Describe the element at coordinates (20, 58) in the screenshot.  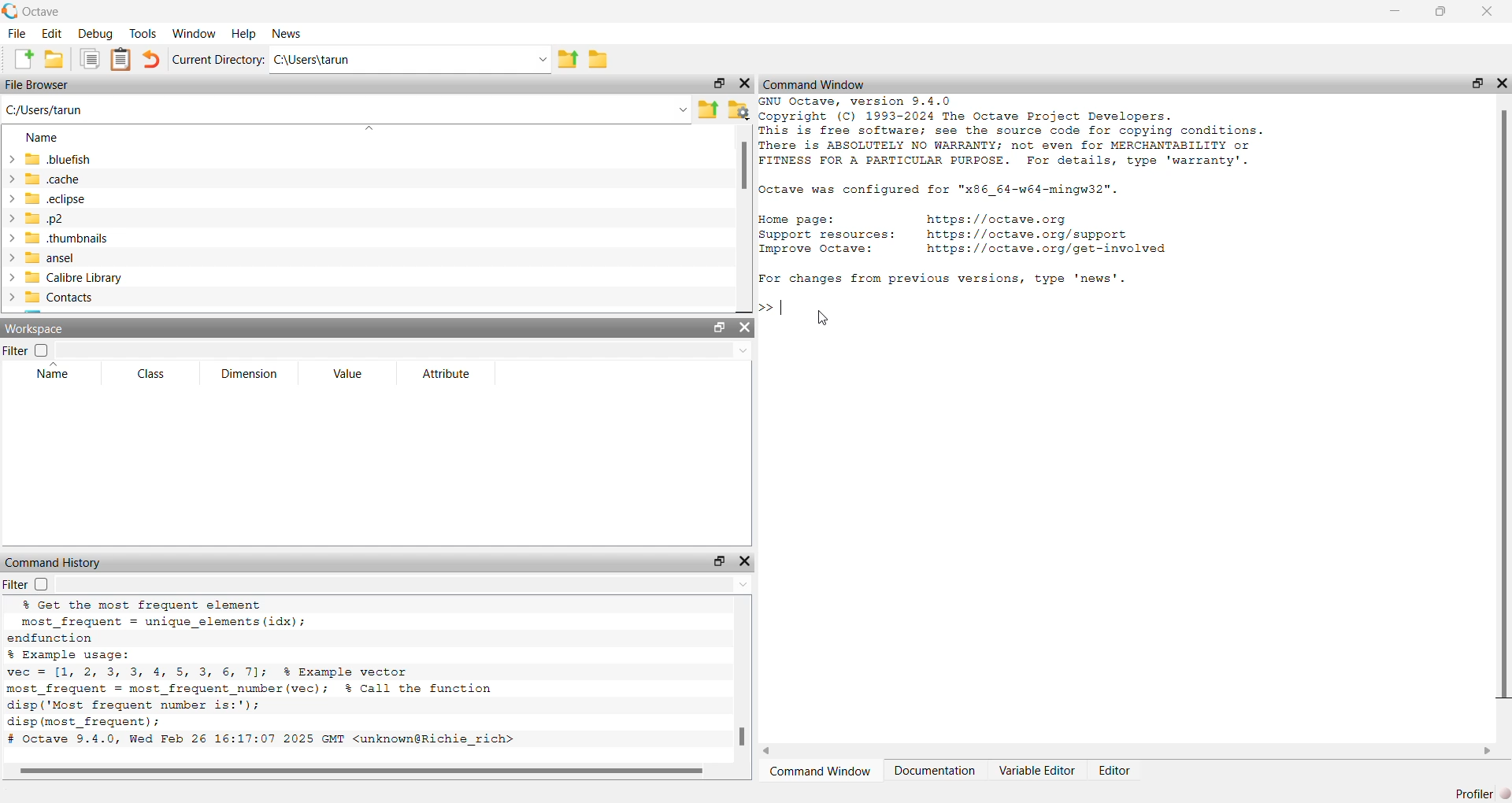
I see `New script` at that location.